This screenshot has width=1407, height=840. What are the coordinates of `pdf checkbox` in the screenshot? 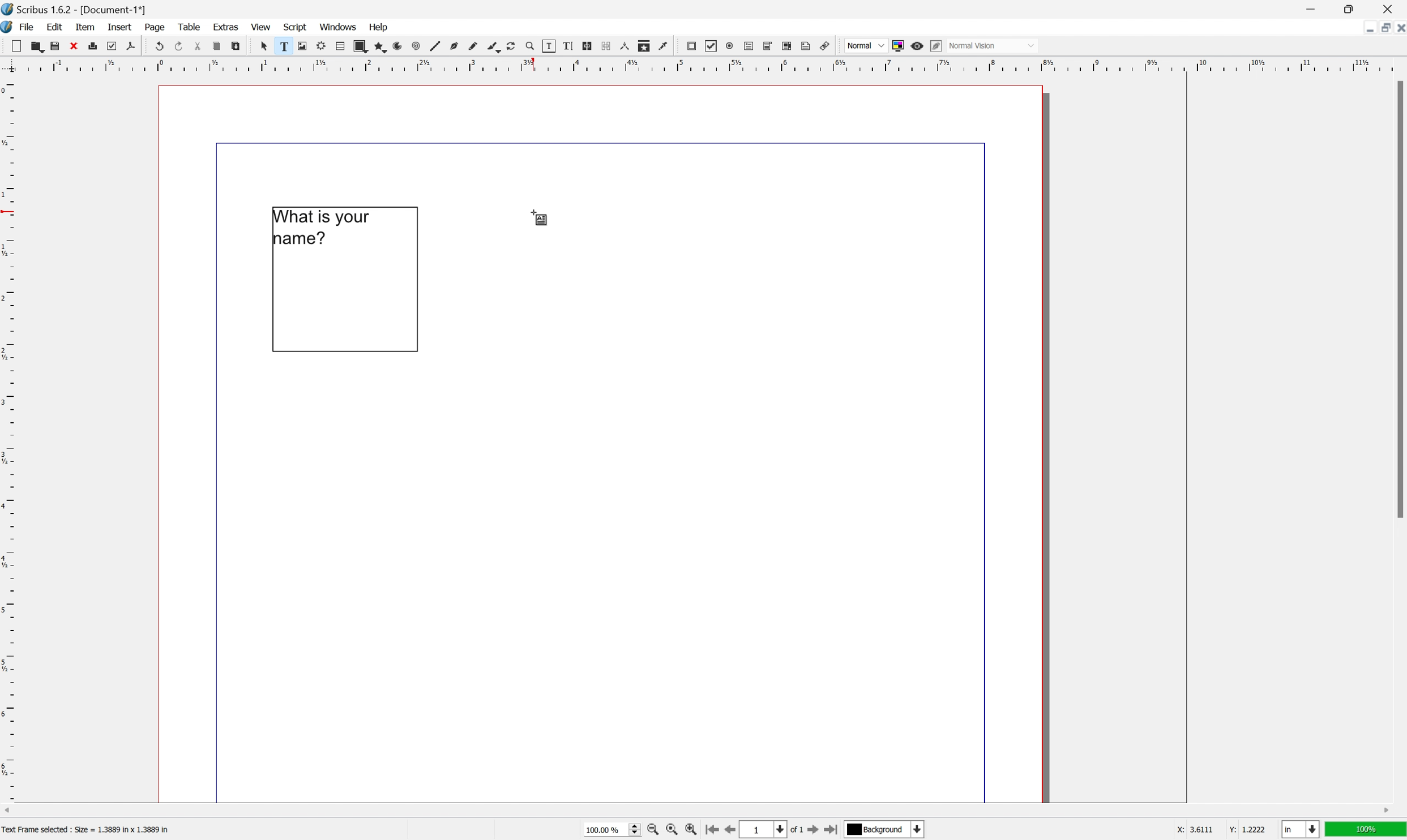 It's located at (712, 46).